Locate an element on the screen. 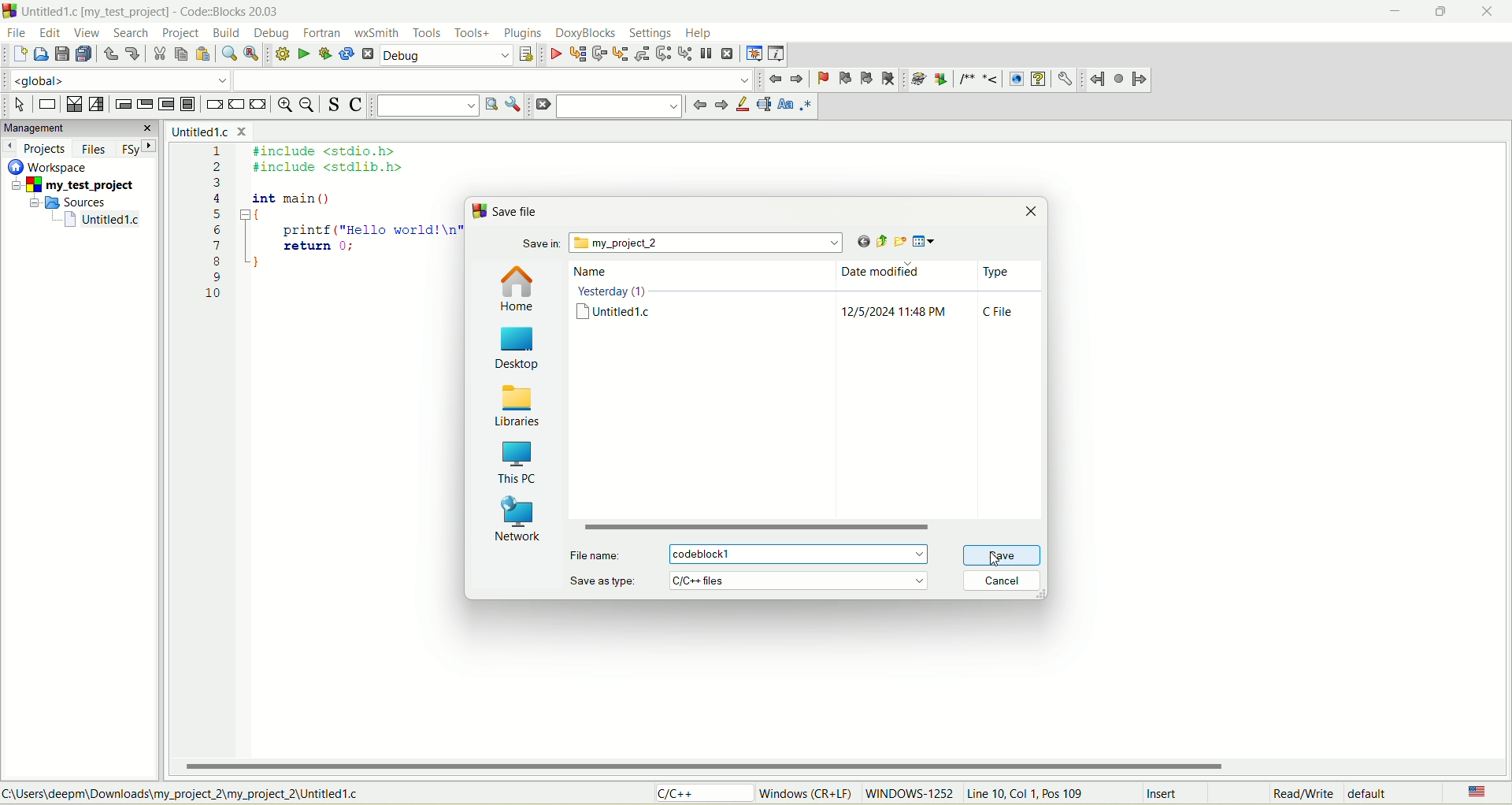 Image resolution: width=1512 pixels, height=805 pixels. jump back is located at coordinates (697, 105).